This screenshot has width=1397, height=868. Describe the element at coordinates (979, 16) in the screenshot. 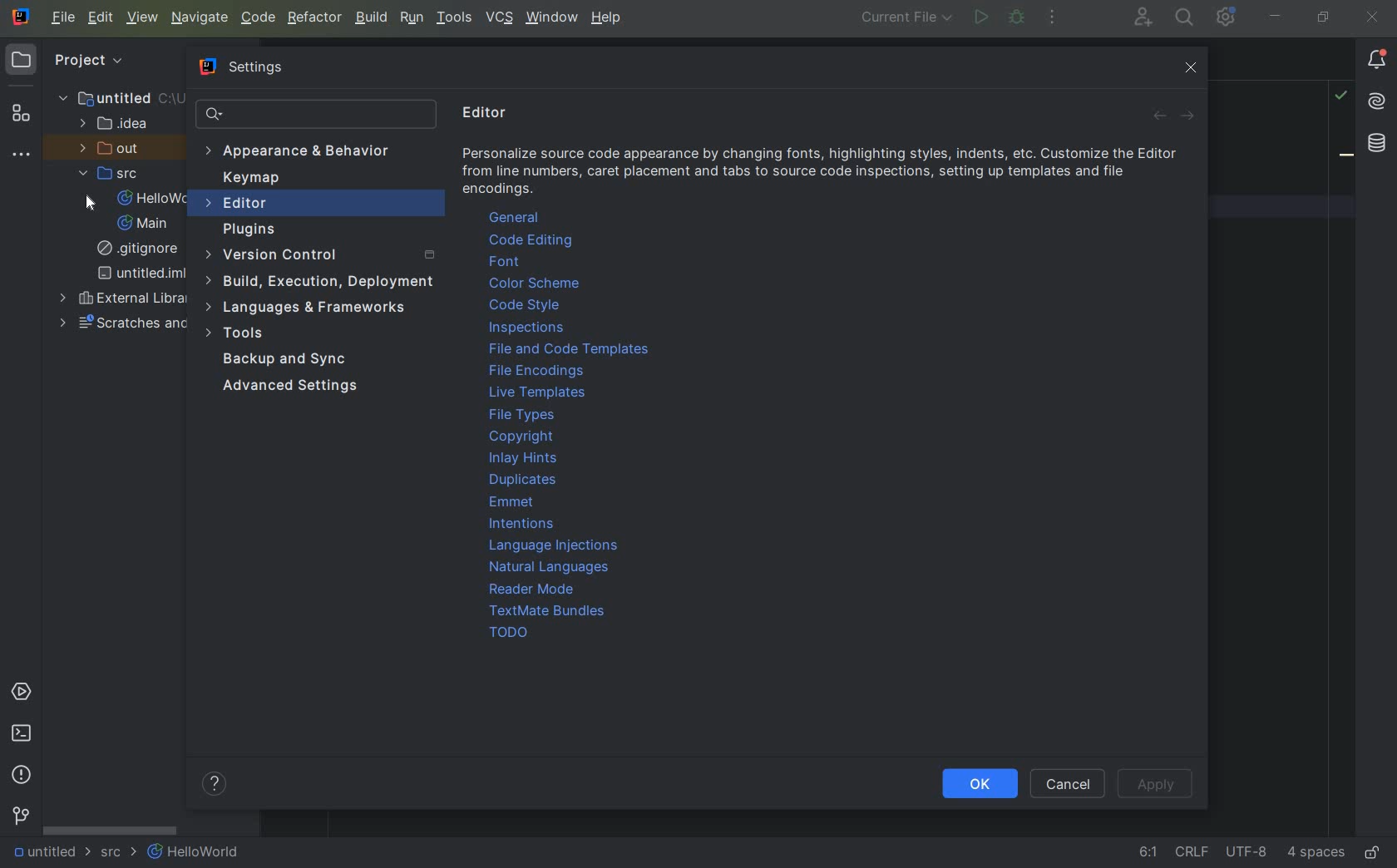

I see `run` at that location.